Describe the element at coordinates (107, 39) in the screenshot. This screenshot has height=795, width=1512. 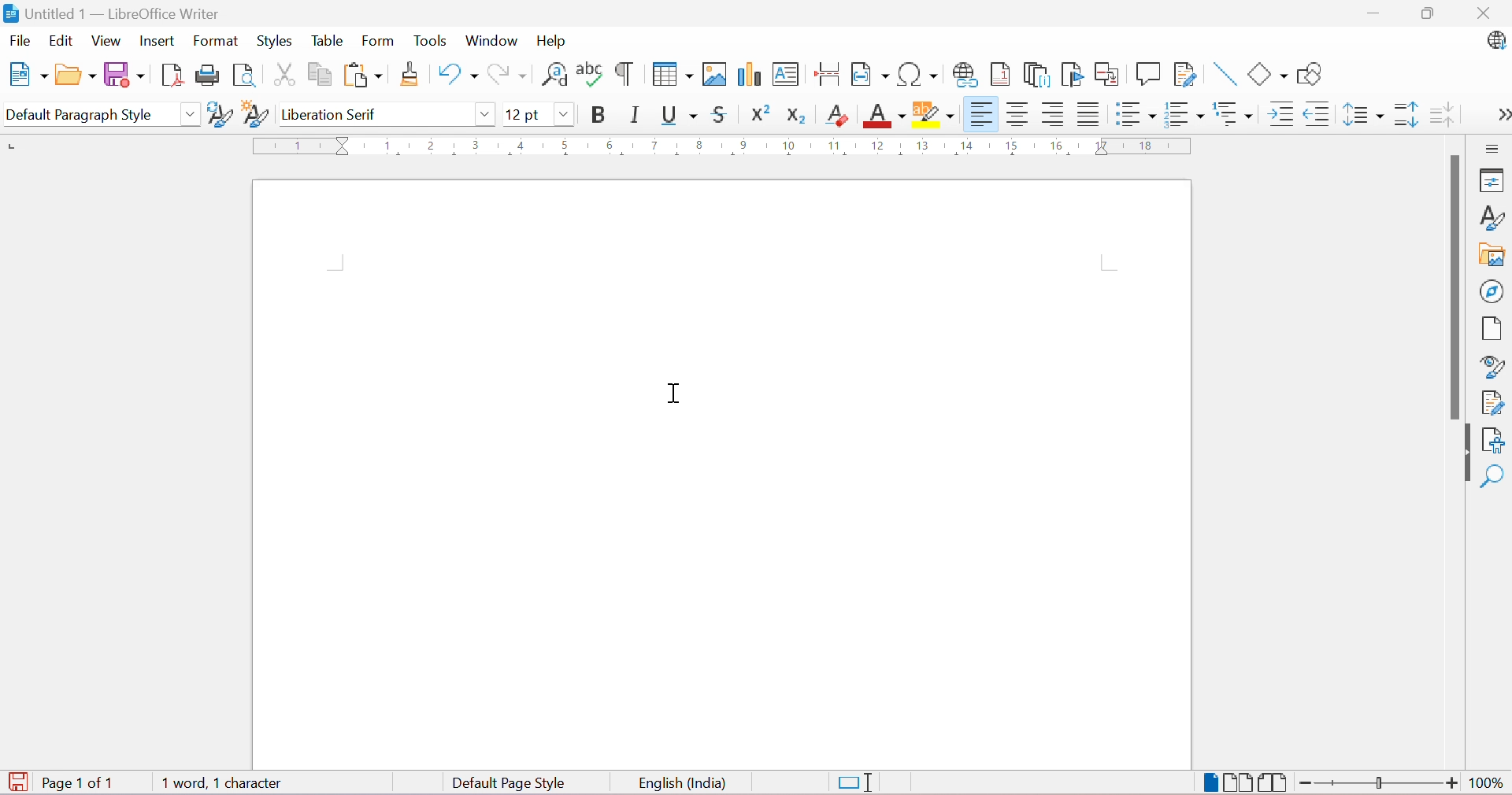
I see `View` at that location.